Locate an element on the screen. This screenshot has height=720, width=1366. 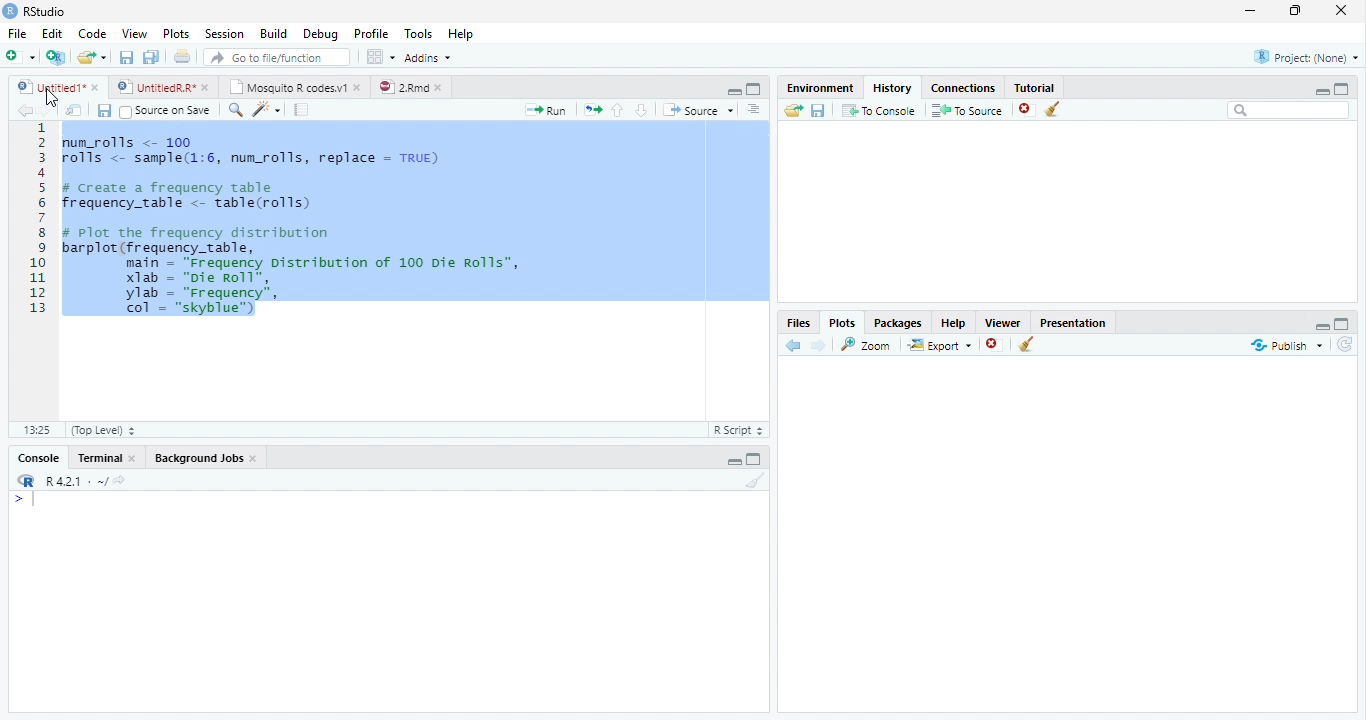
Console is located at coordinates (386, 601).